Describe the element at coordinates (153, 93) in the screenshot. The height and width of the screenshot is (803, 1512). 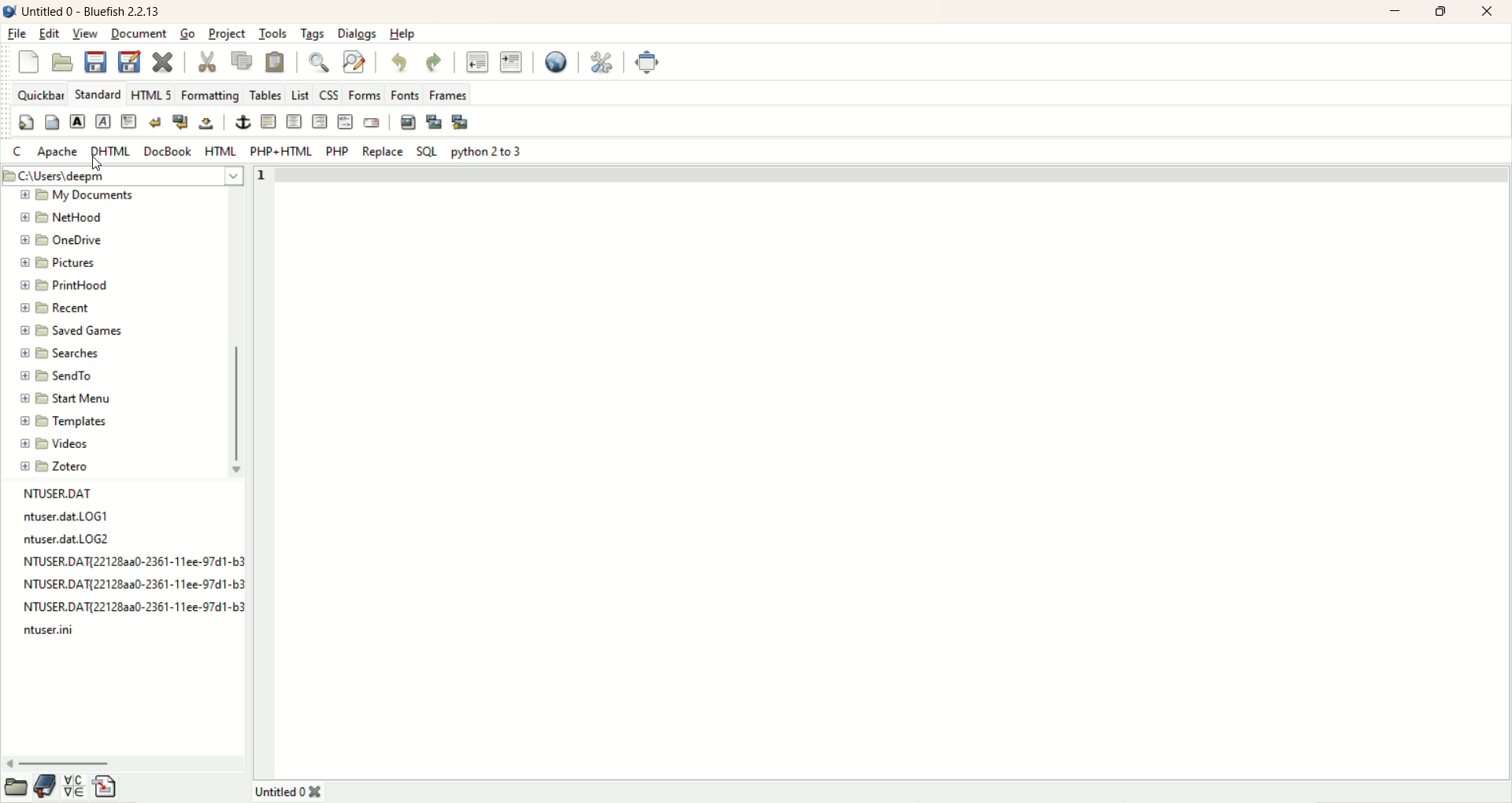
I see `HTML 5` at that location.